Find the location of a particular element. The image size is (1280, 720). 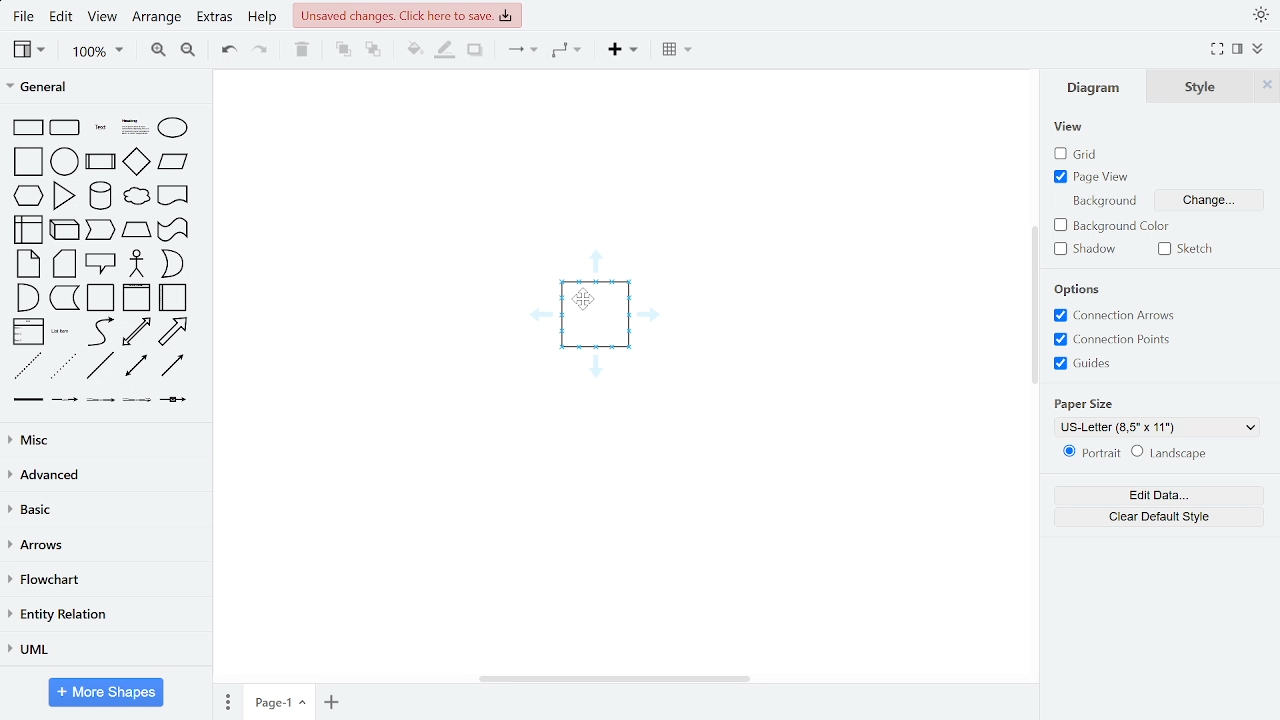

ladscape is located at coordinates (1174, 454).